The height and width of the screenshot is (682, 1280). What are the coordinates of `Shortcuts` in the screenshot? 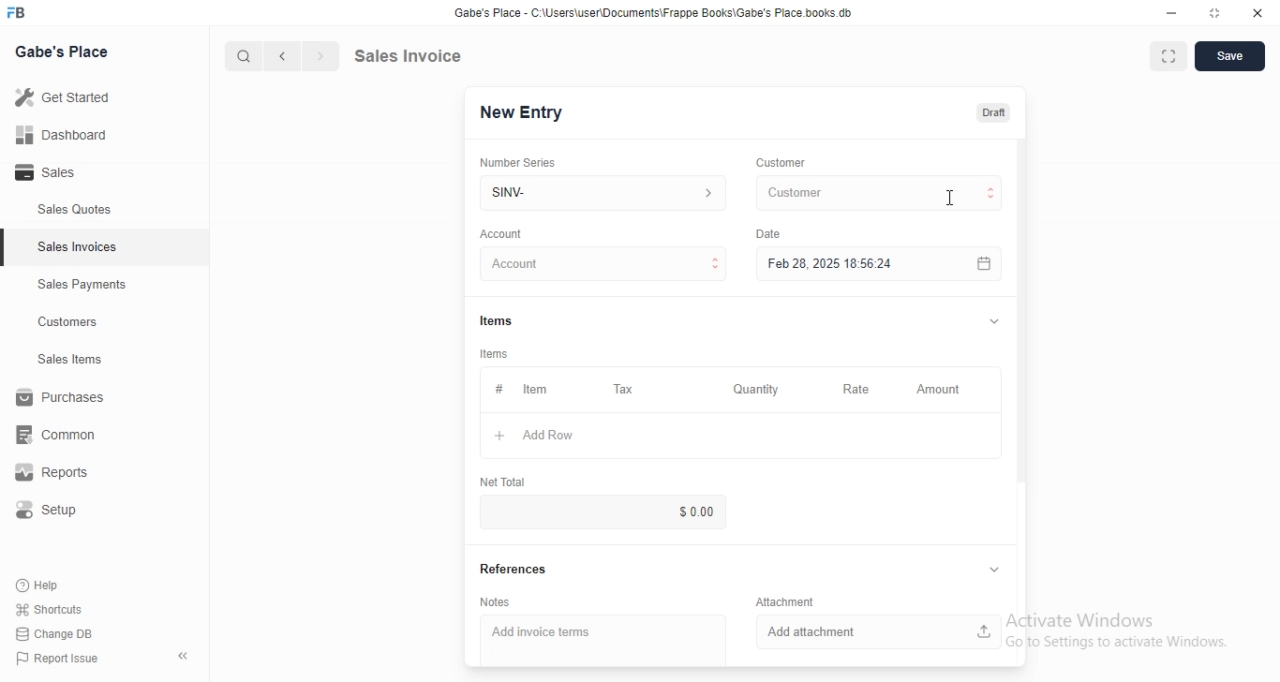 It's located at (61, 608).